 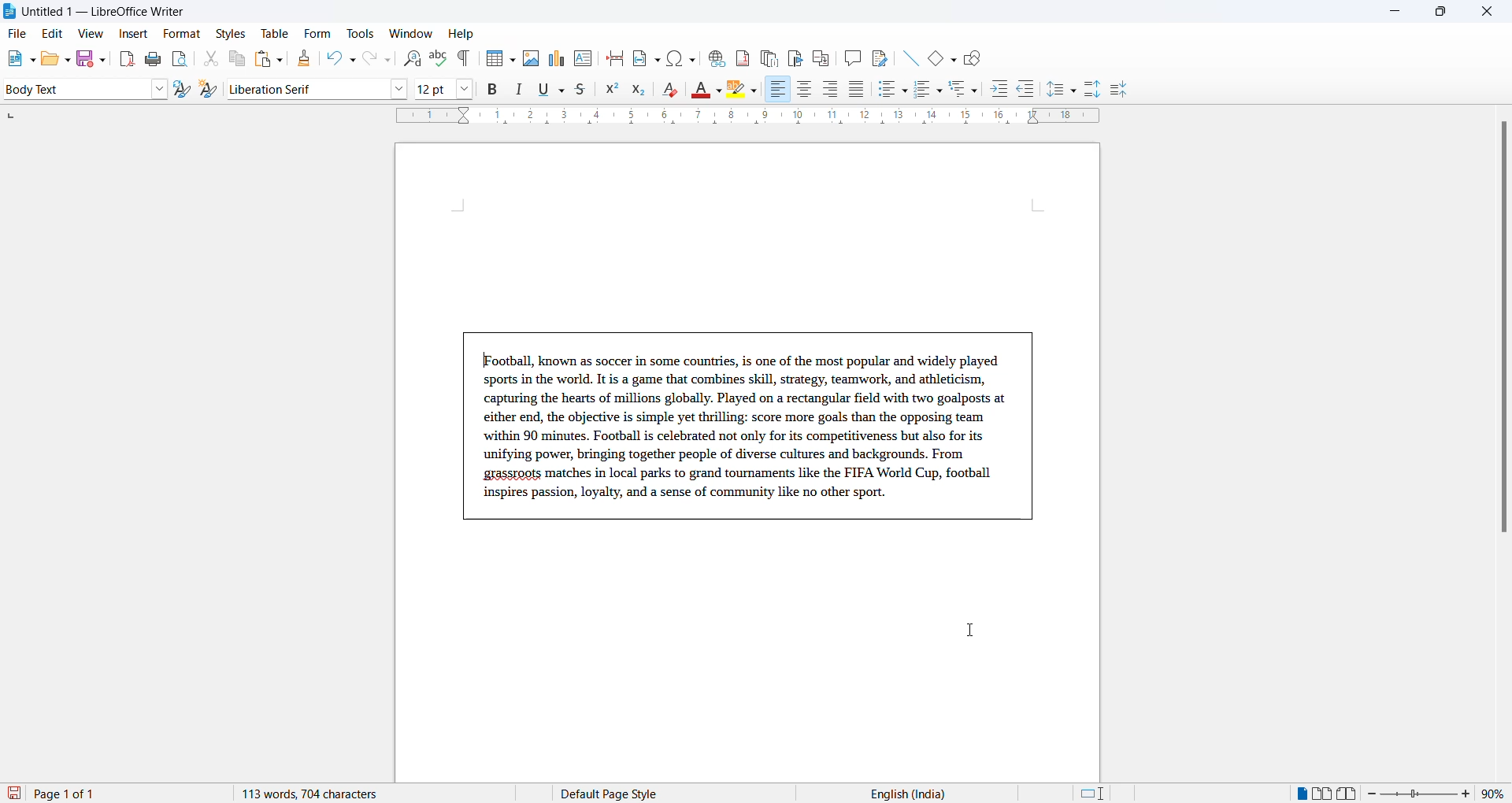 I want to click on spellings, so click(x=438, y=57).